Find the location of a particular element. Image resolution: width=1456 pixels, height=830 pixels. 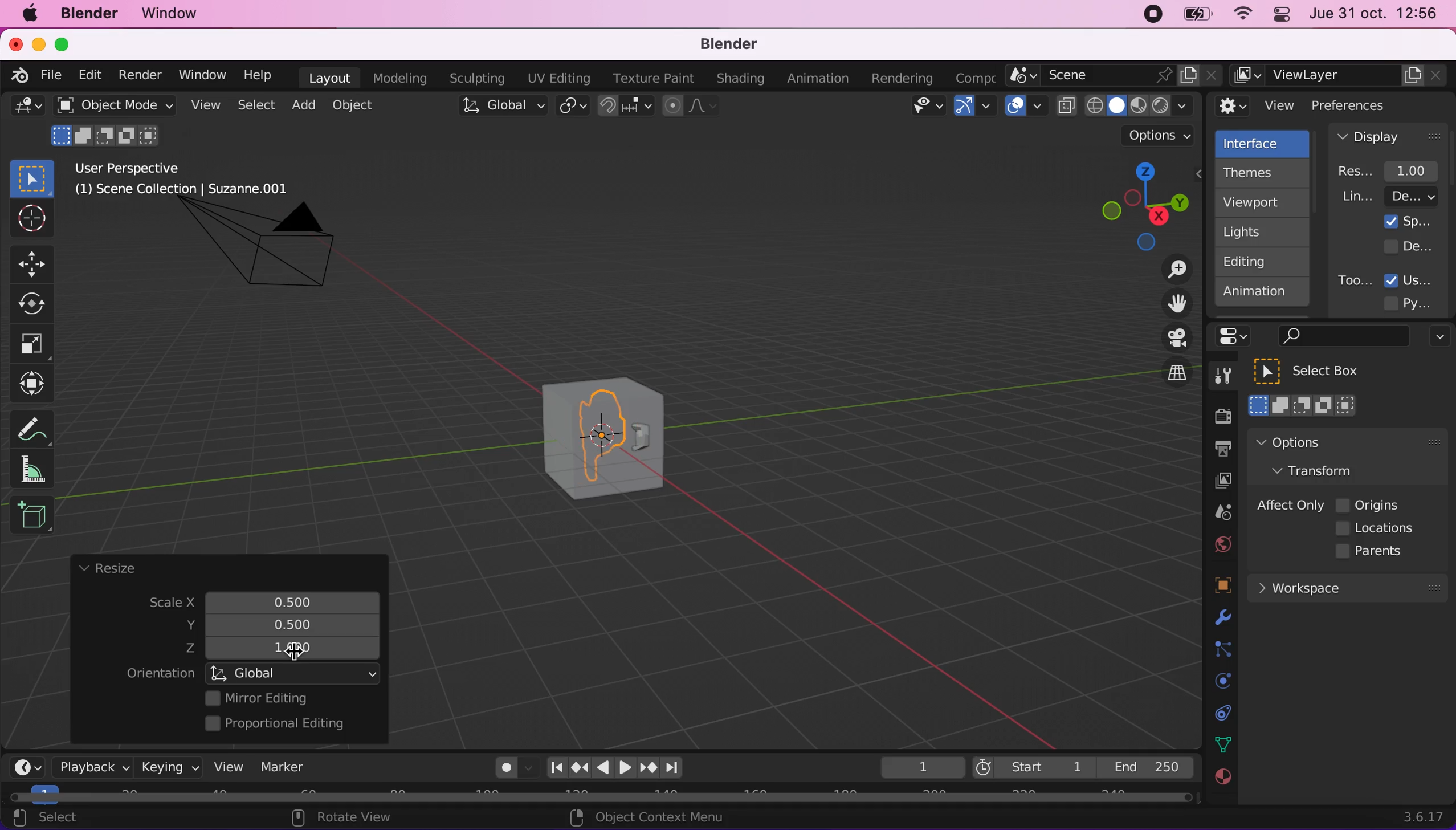

window is located at coordinates (175, 14).